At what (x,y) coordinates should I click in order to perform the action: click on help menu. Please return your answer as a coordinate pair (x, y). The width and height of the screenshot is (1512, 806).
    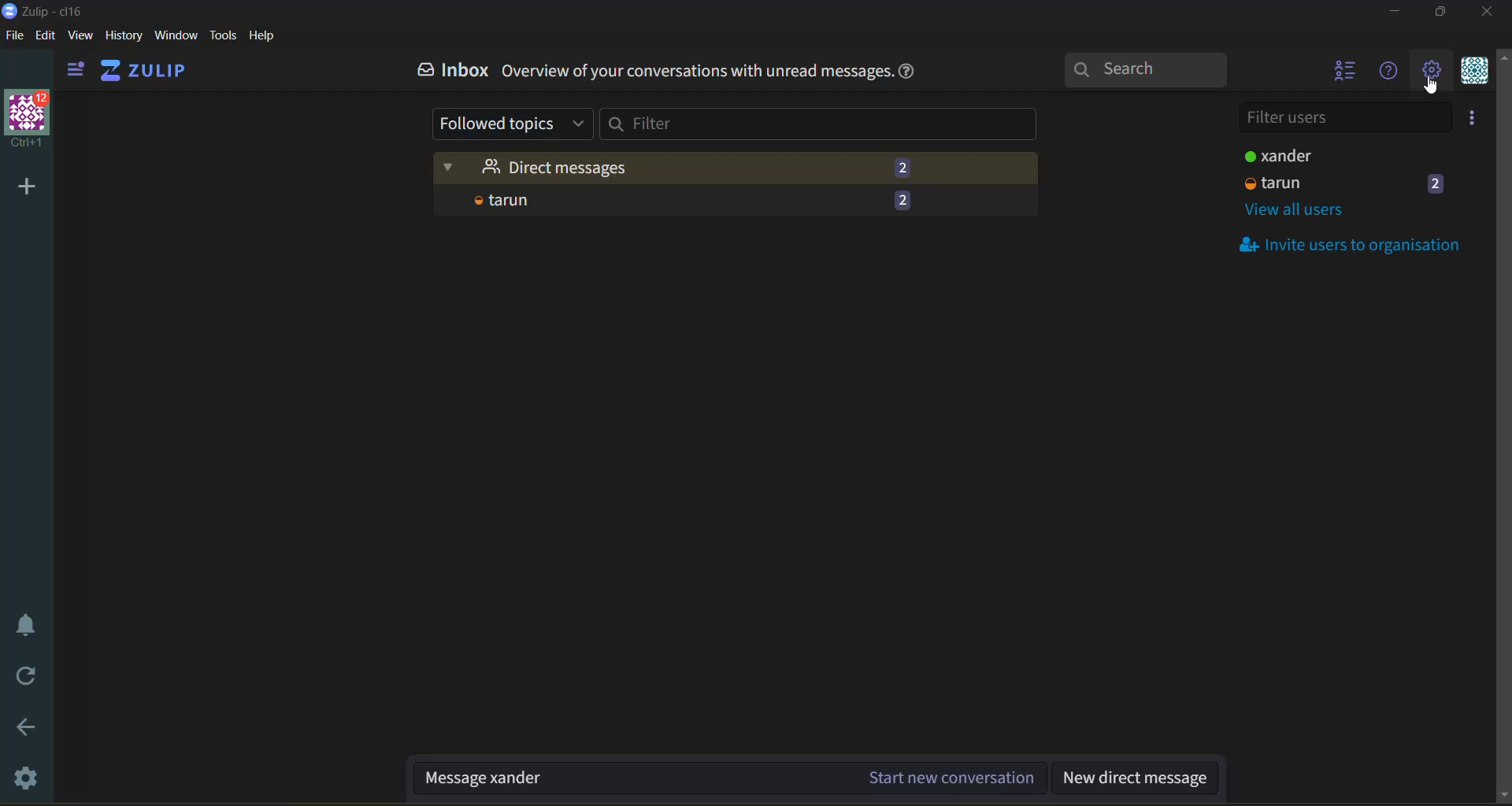
    Looking at the image, I should click on (1385, 72).